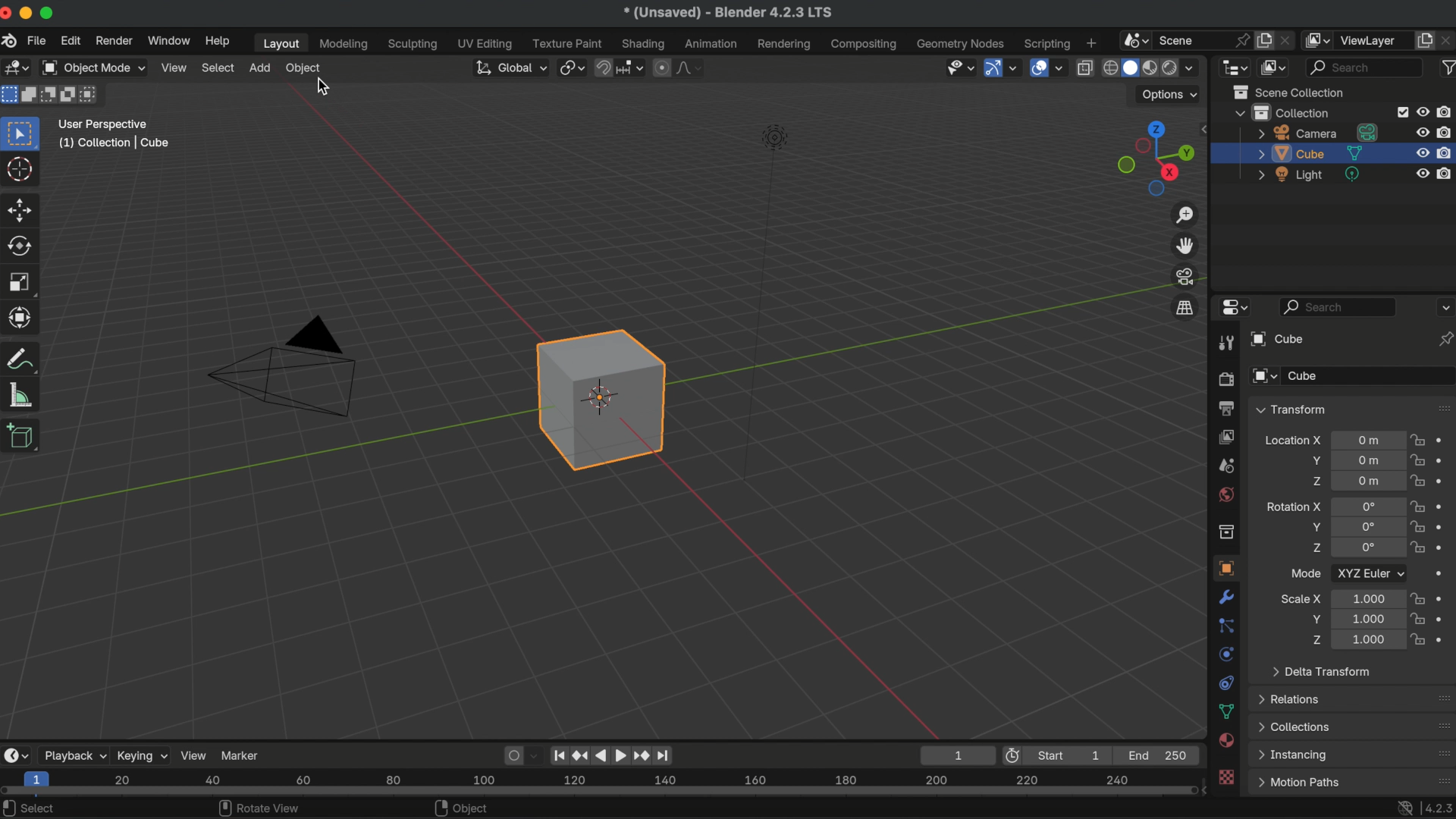 The width and height of the screenshot is (1456, 819). Describe the element at coordinates (1293, 92) in the screenshot. I see `scene collection` at that location.